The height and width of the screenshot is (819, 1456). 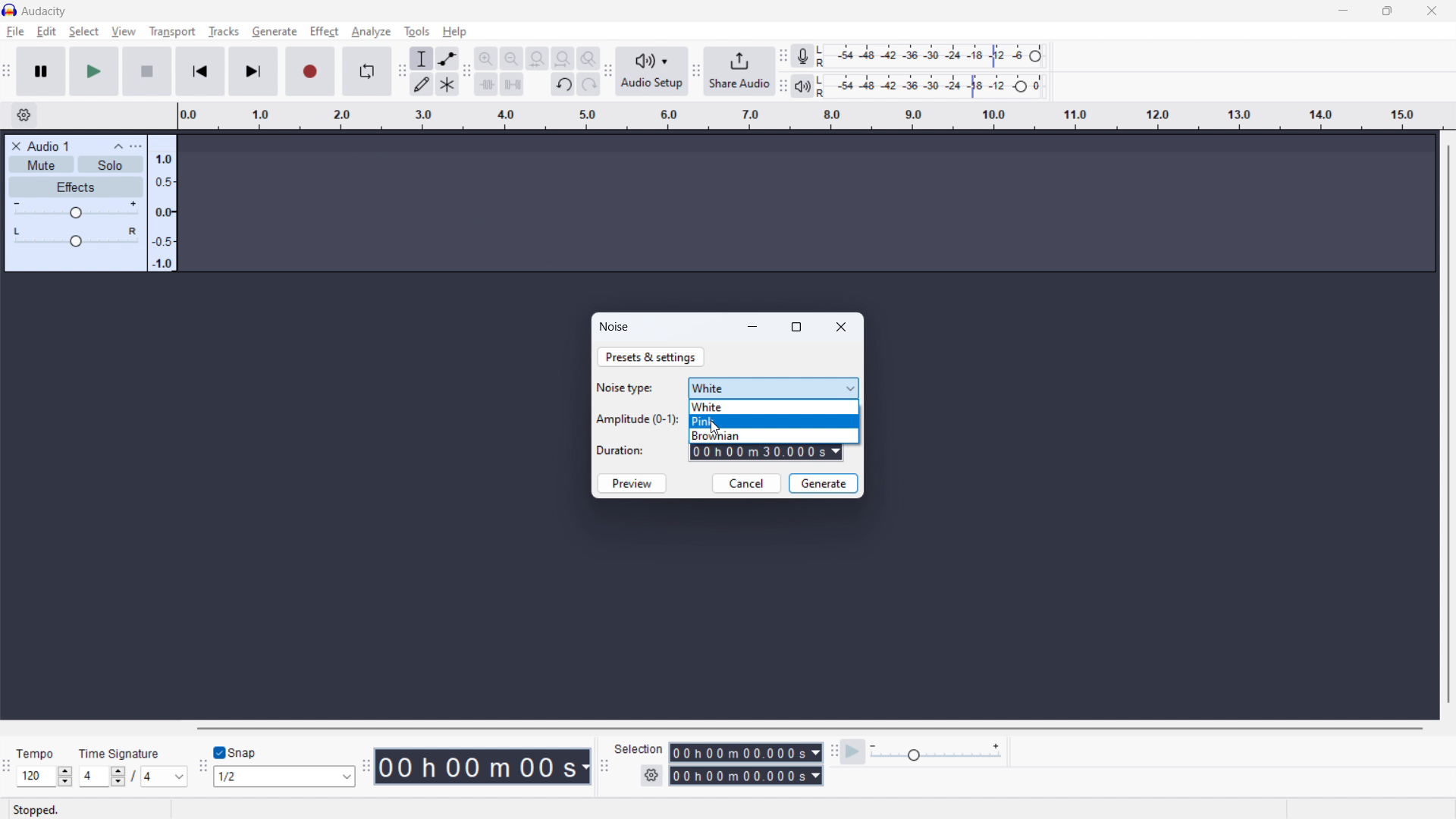 I want to click on close, so click(x=1431, y=11).